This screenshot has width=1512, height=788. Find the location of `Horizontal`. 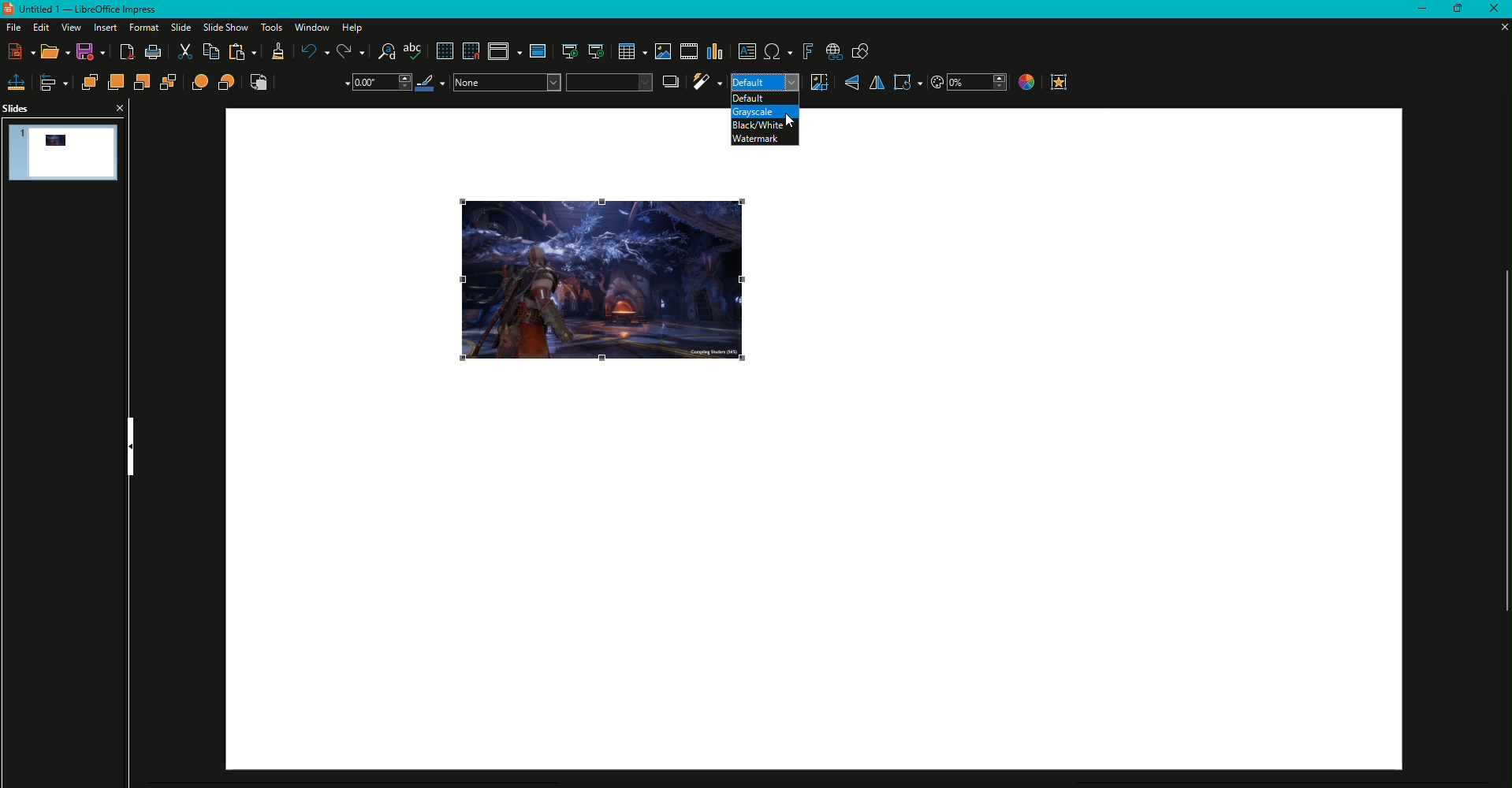

Horizontal is located at coordinates (876, 83).